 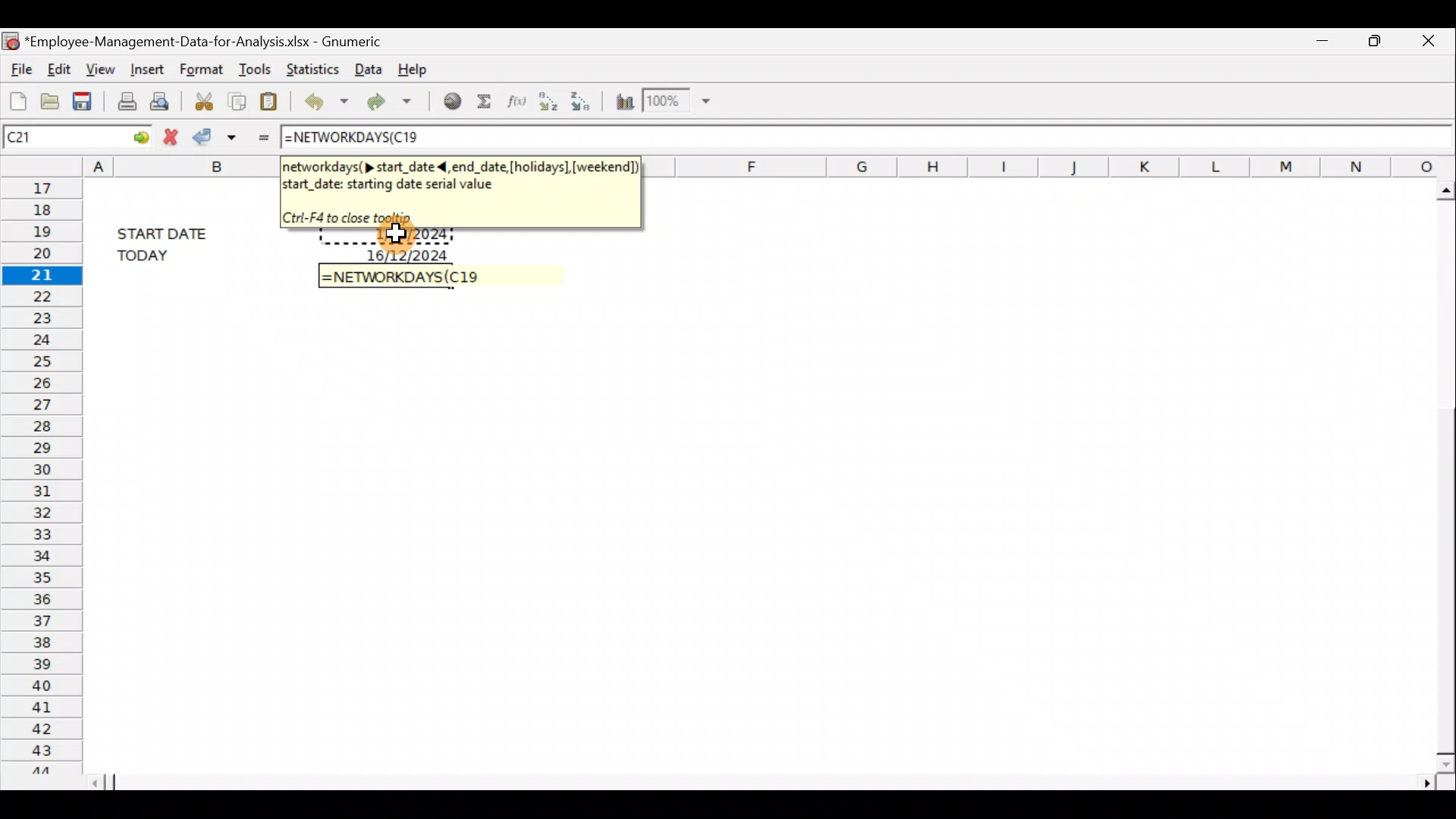 What do you see at coordinates (260, 136) in the screenshot?
I see `Enter formula` at bounding box center [260, 136].